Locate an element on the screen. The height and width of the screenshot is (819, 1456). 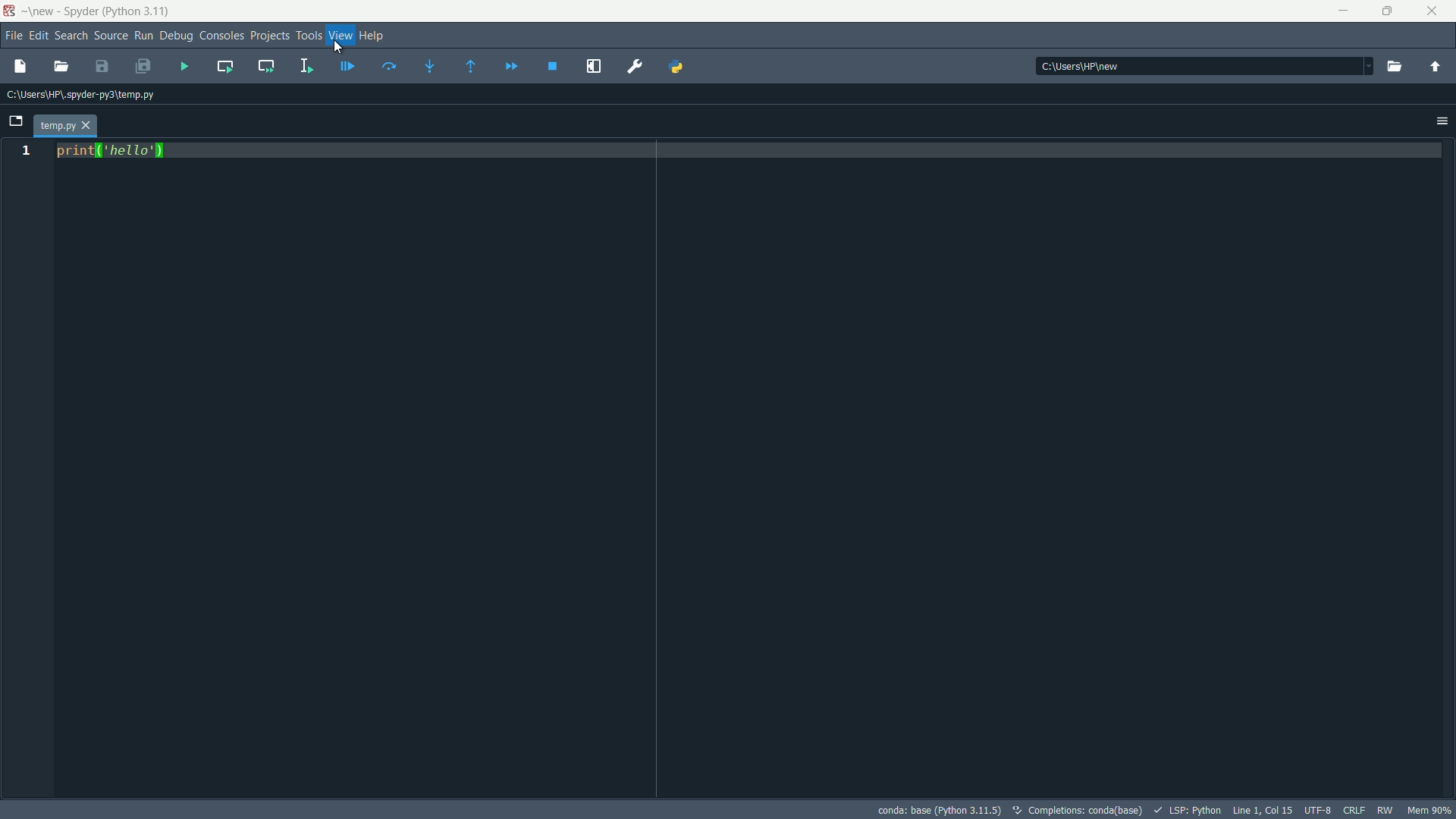
minimize is located at coordinates (1347, 11).